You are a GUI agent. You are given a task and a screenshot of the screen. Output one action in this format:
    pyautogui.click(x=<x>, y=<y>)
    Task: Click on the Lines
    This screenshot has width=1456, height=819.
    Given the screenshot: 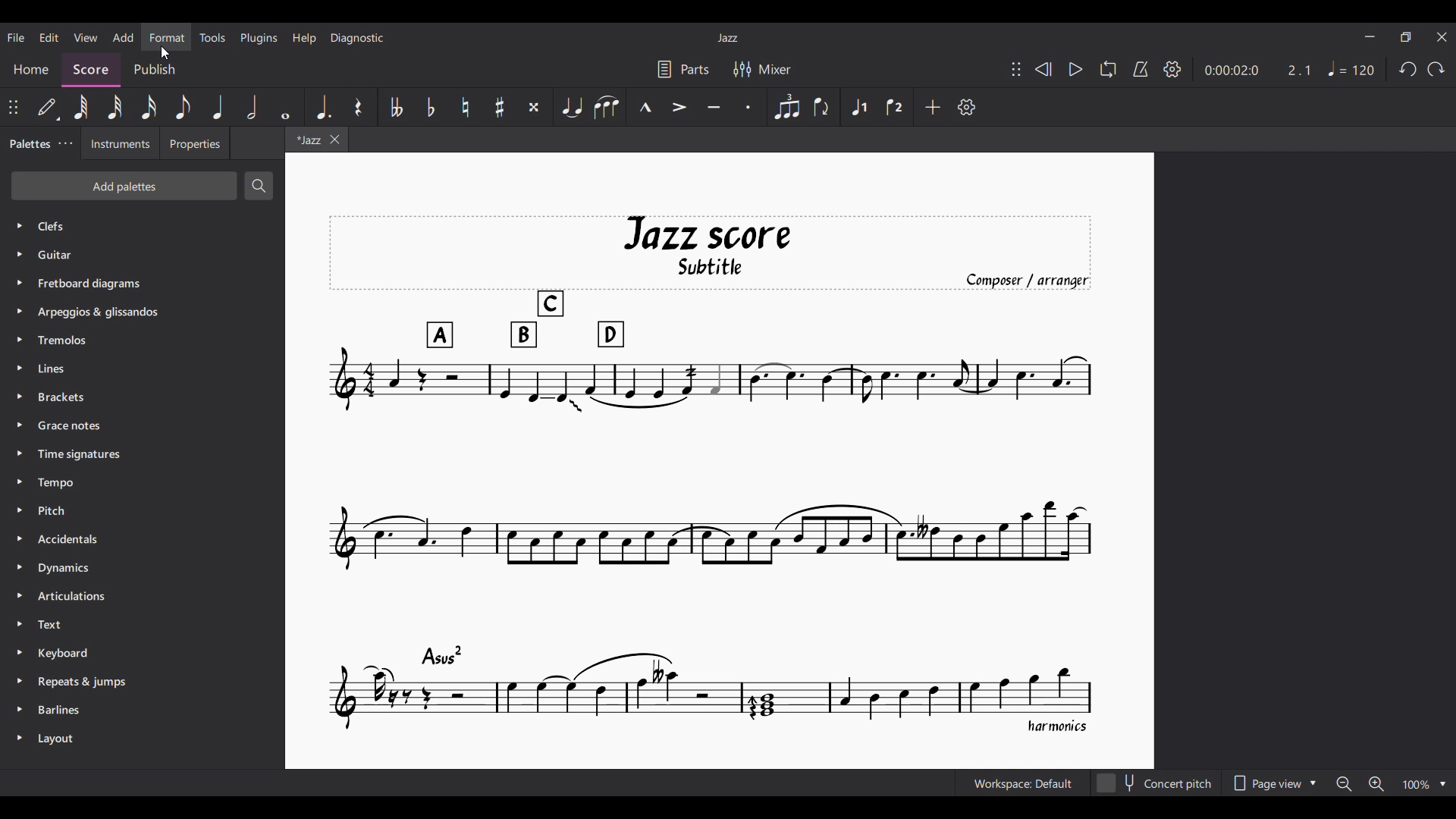 What is the action you would take?
    pyautogui.click(x=54, y=369)
    